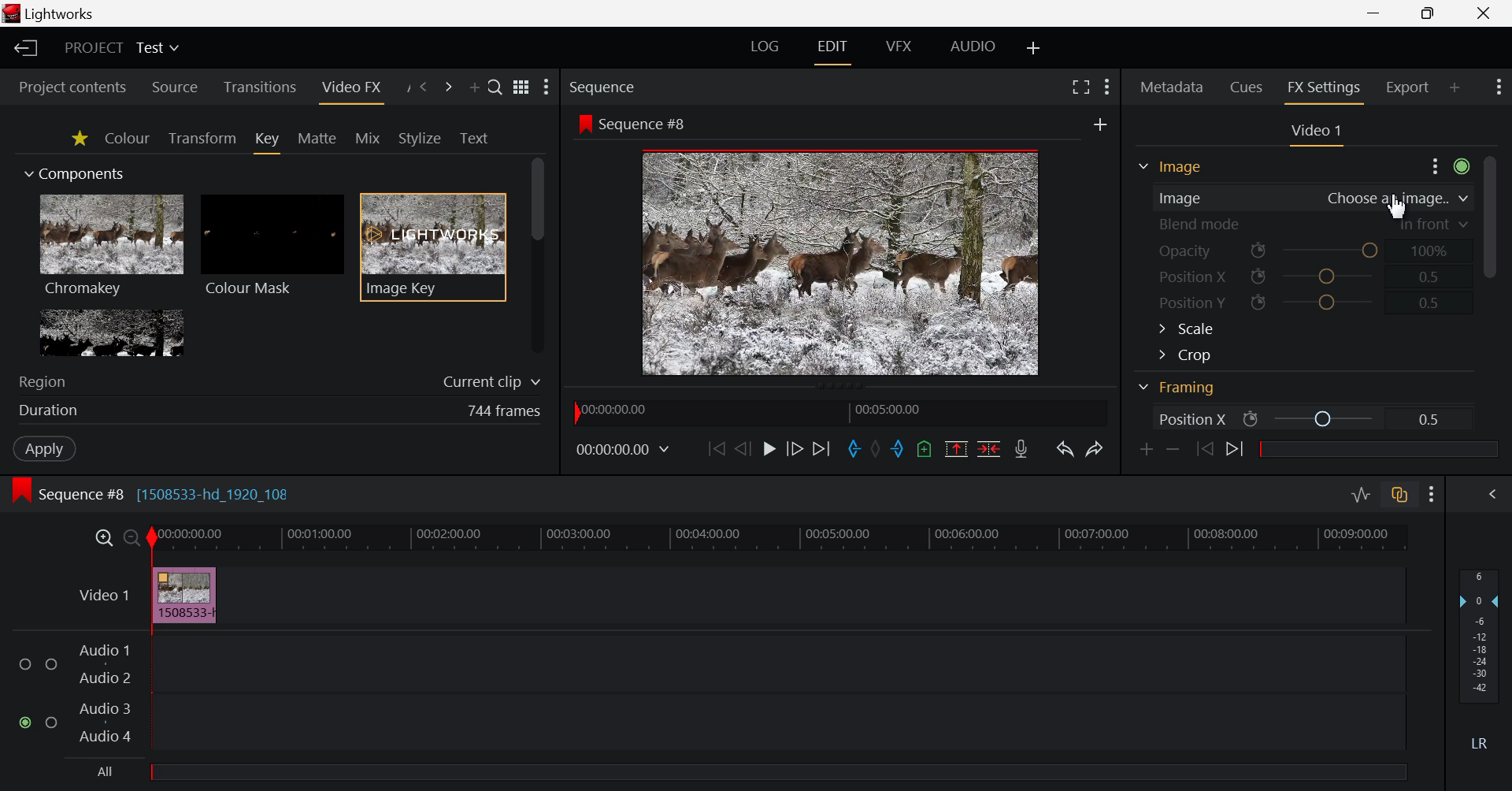 Image resolution: width=1512 pixels, height=791 pixels. Describe the element at coordinates (1375, 13) in the screenshot. I see `Restore Down` at that location.